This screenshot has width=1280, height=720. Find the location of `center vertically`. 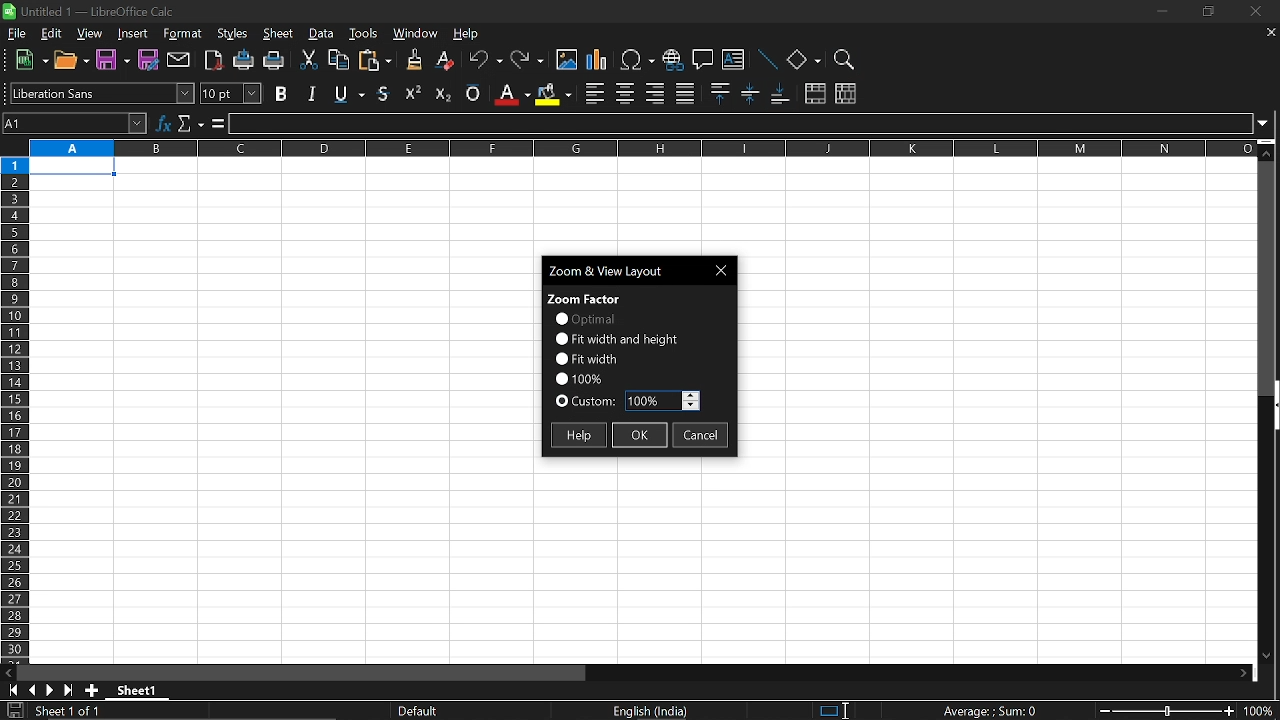

center vertically is located at coordinates (750, 93).